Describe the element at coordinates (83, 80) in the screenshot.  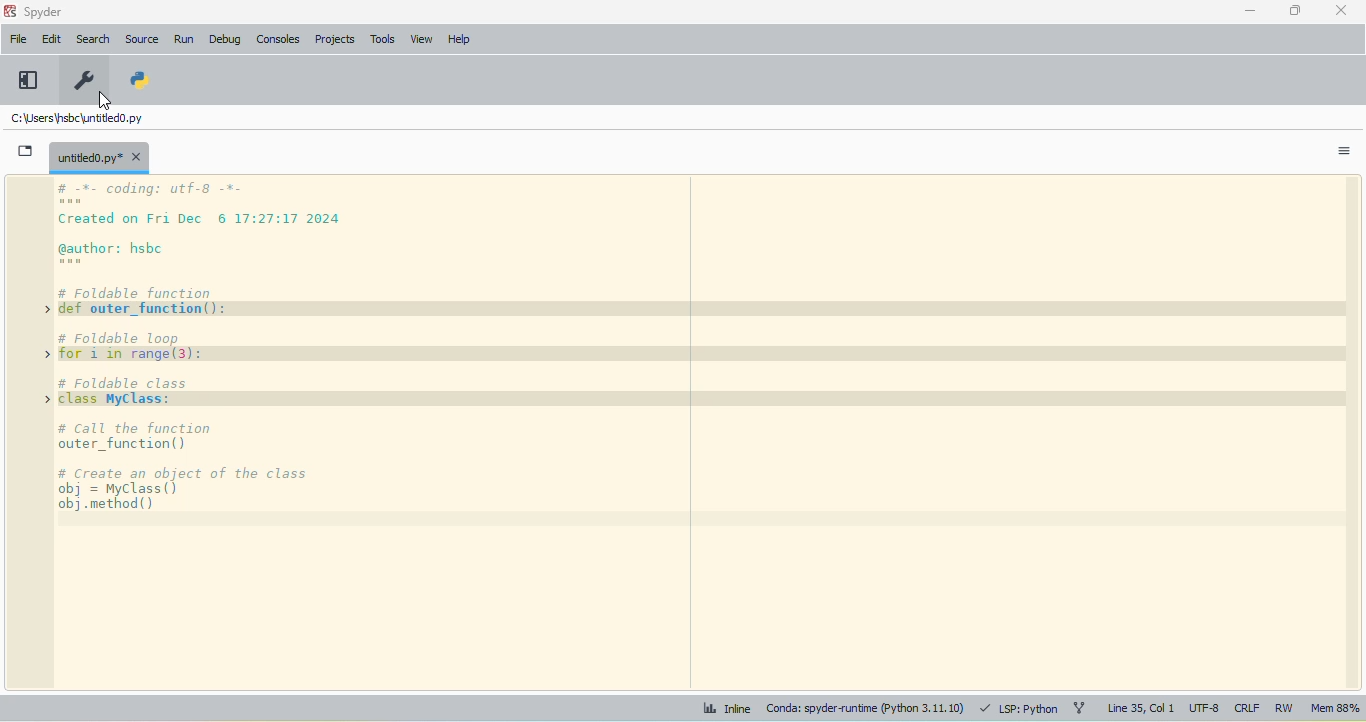
I see `preferences` at that location.